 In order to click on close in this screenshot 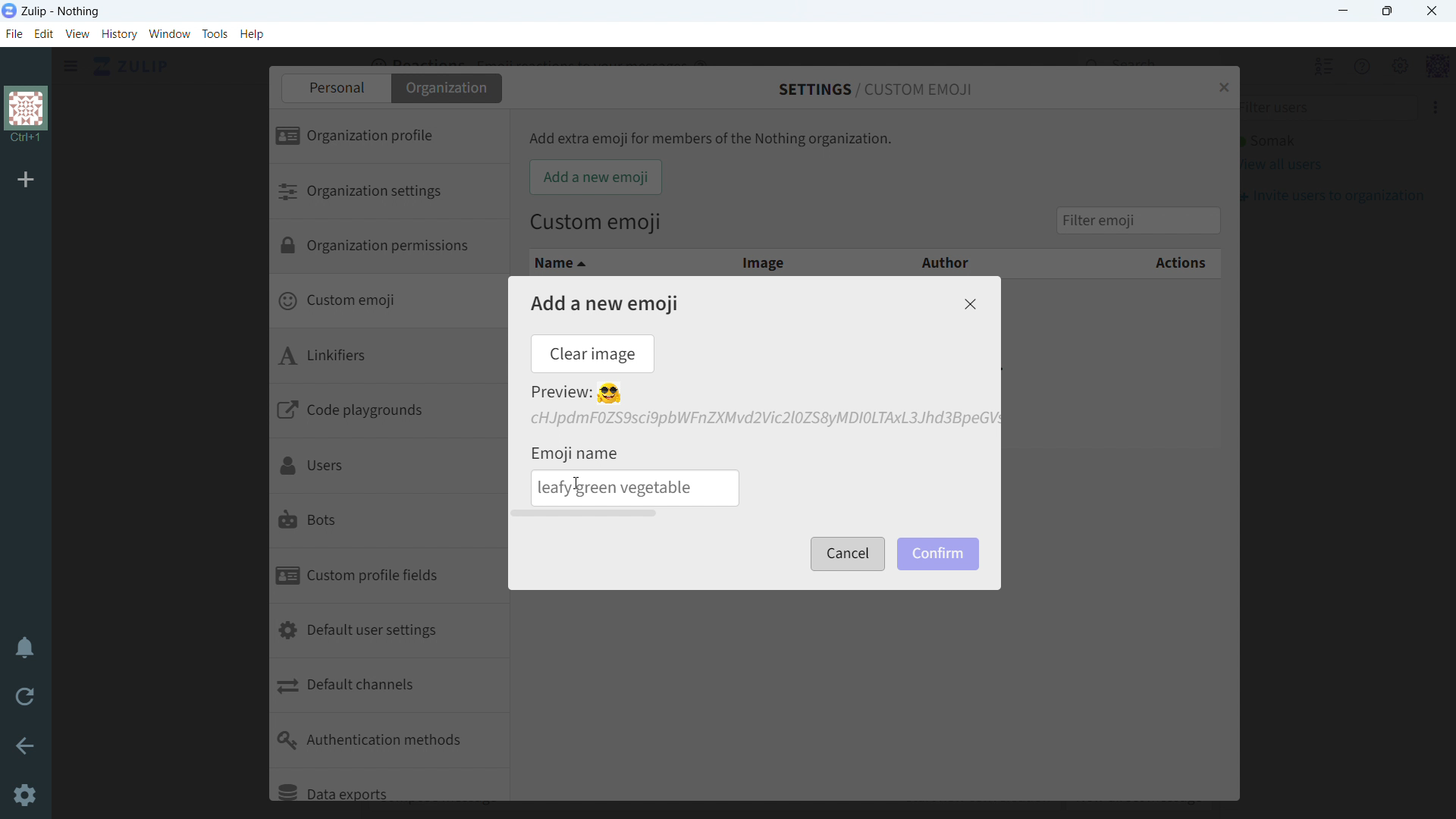, I will do `click(969, 304)`.